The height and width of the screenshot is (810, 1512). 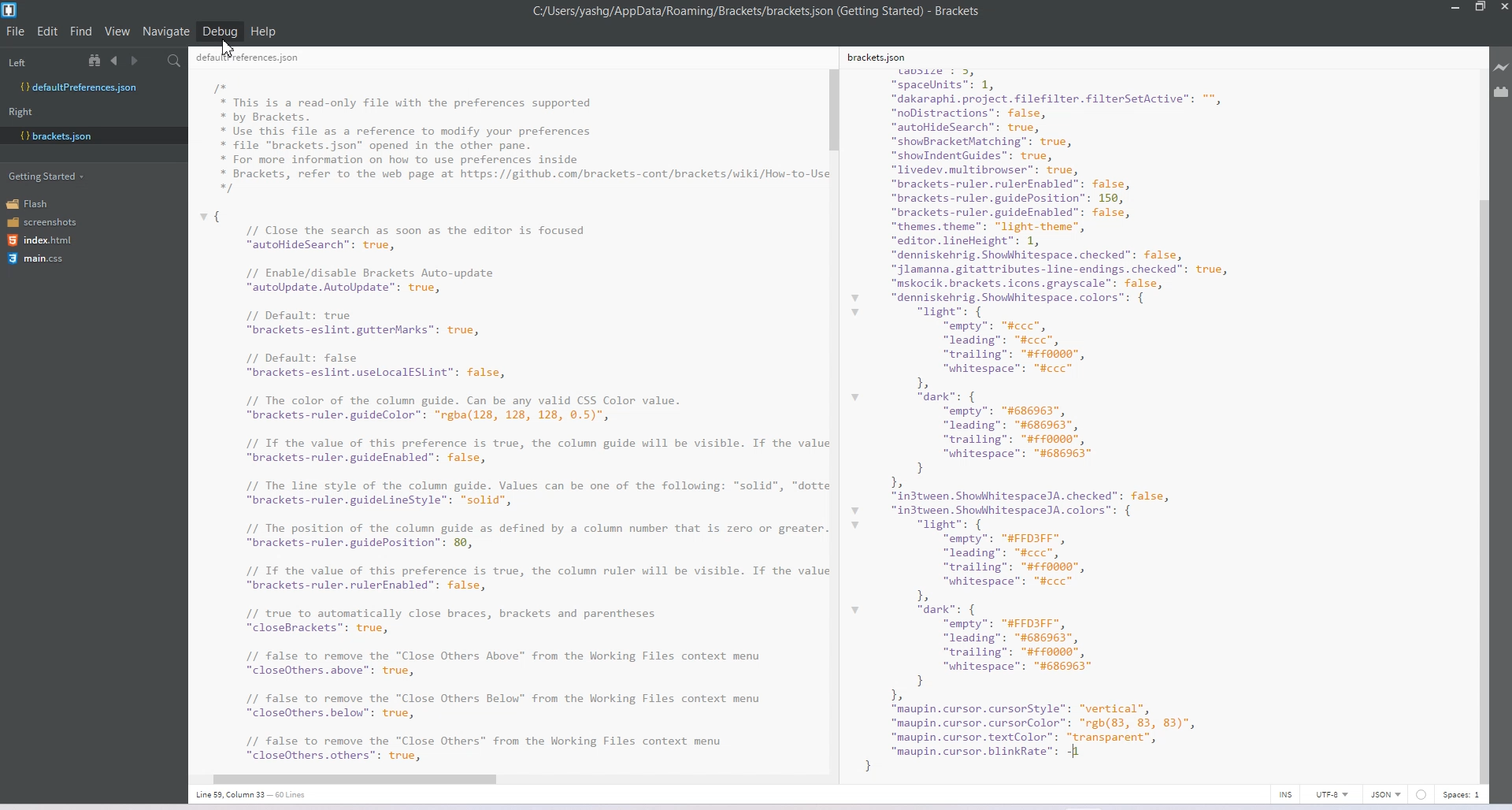 What do you see at coordinates (45, 240) in the screenshot?
I see `index.html` at bounding box center [45, 240].